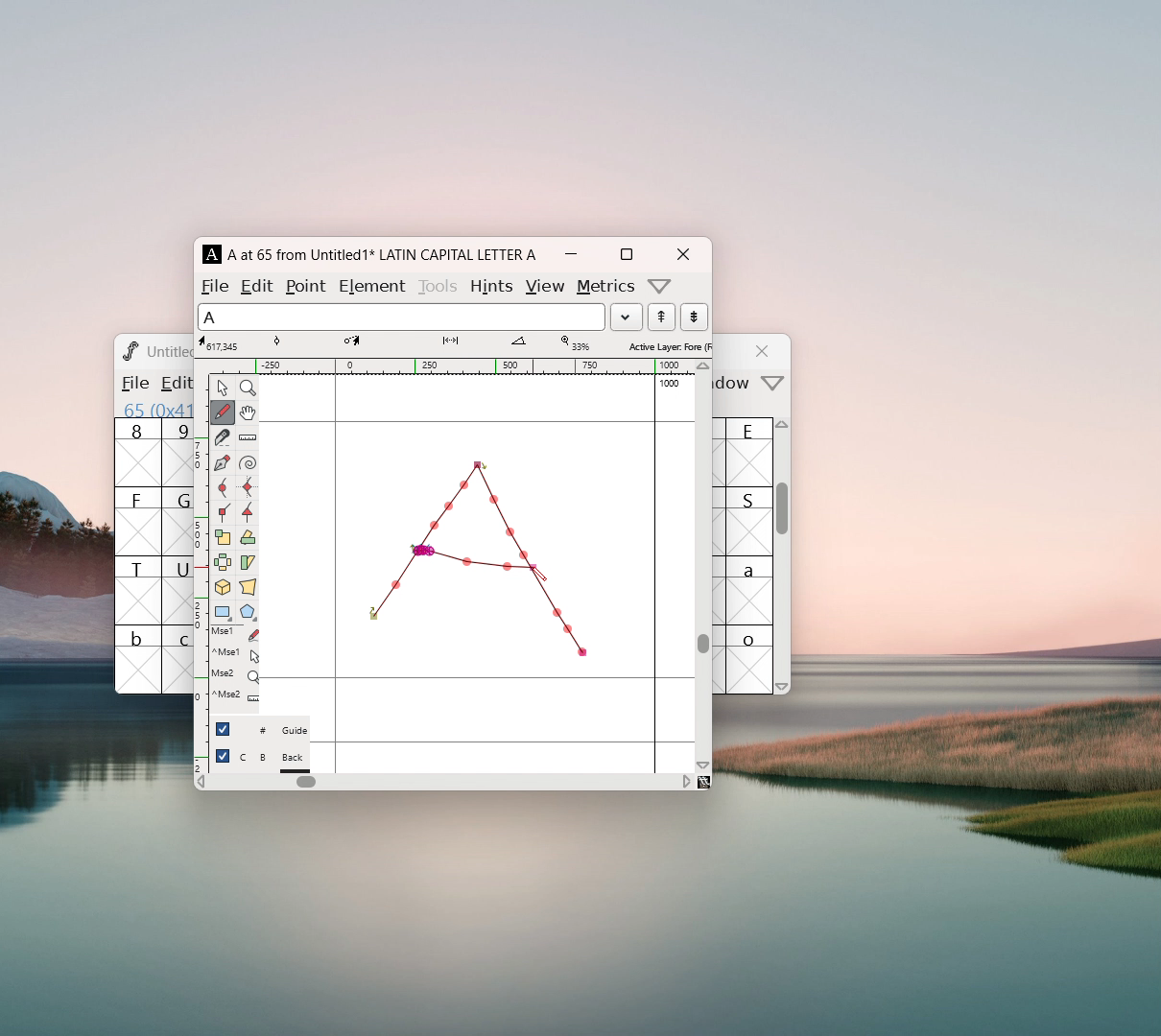 This screenshot has width=1161, height=1036. I want to click on add a tangent point, so click(247, 512).